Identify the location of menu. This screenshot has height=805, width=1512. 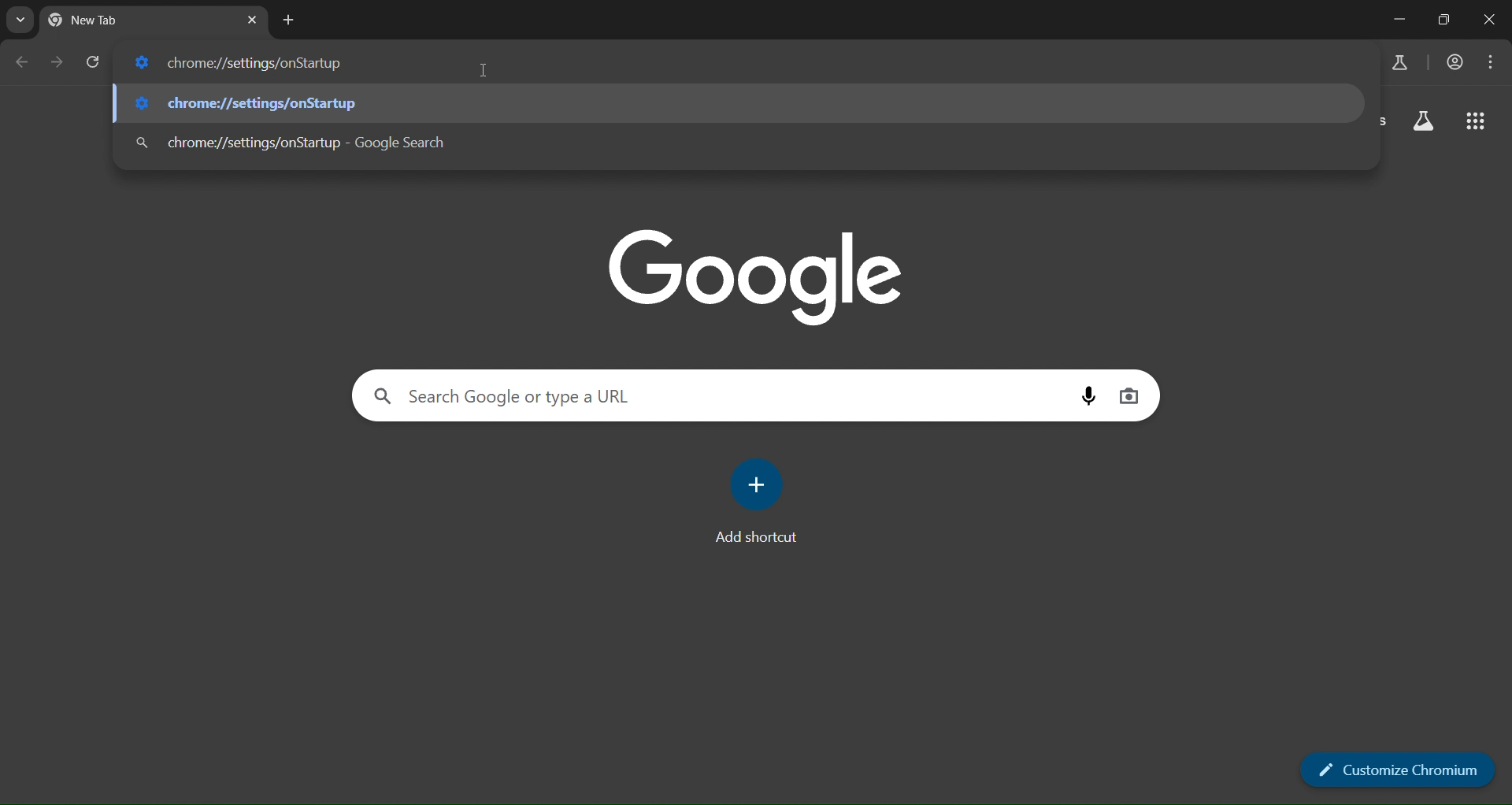
(1487, 61).